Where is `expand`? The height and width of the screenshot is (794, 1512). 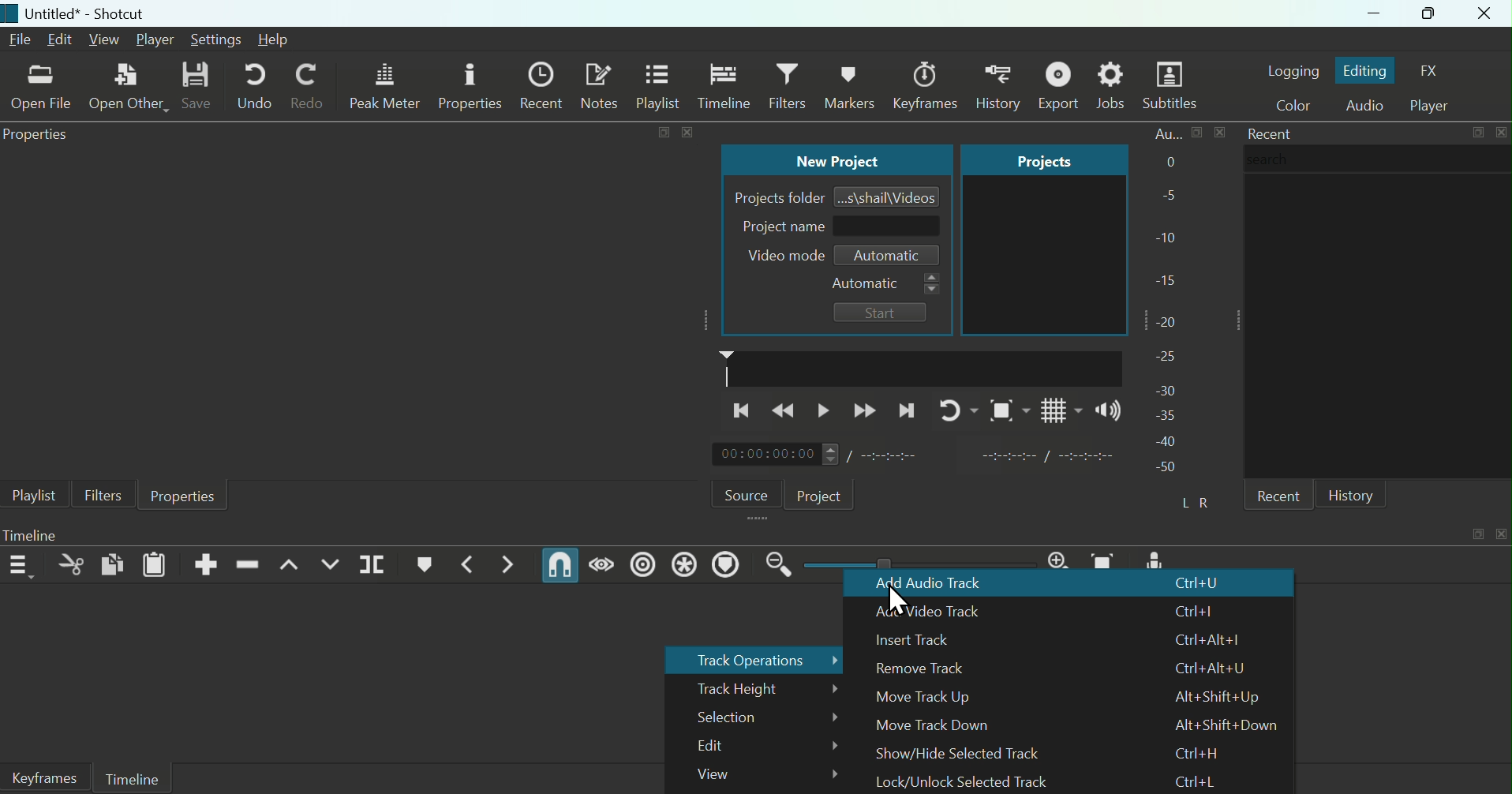
expand is located at coordinates (1477, 133).